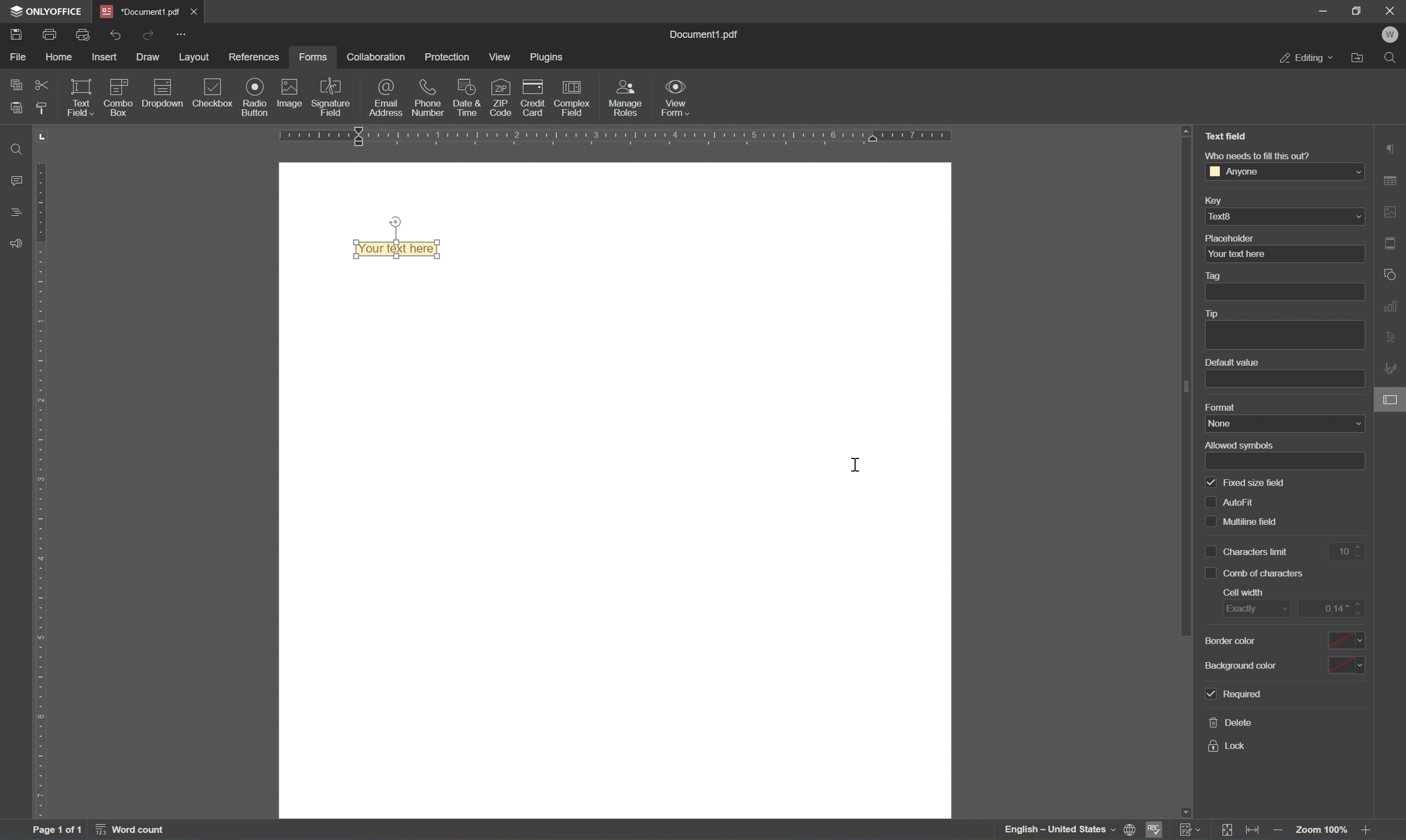 Image resolution: width=1406 pixels, height=840 pixels. What do you see at coordinates (1229, 136) in the screenshot?
I see `text field` at bounding box center [1229, 136].